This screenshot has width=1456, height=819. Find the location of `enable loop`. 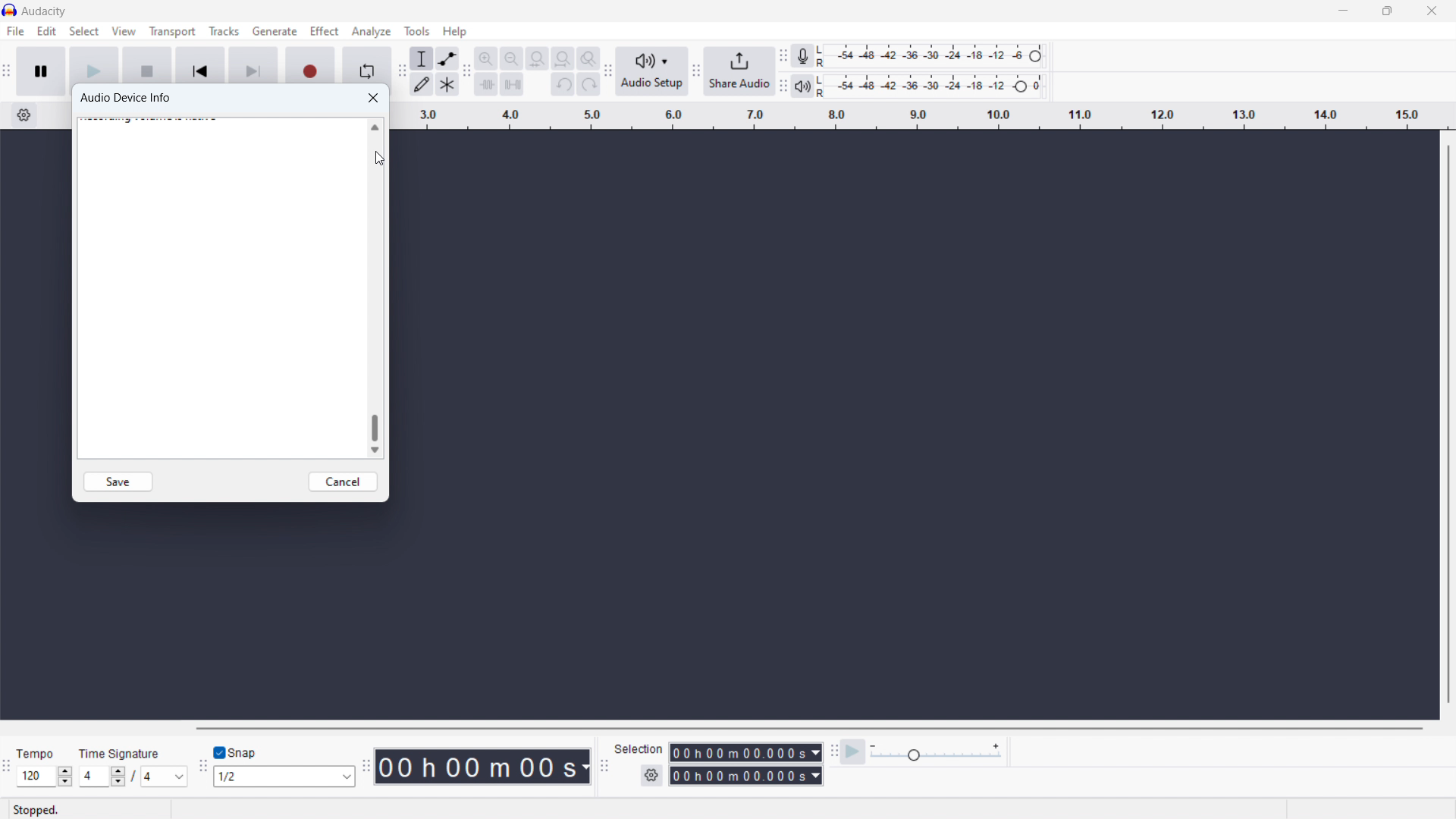

enable loop is located at coordinates (366, 67).